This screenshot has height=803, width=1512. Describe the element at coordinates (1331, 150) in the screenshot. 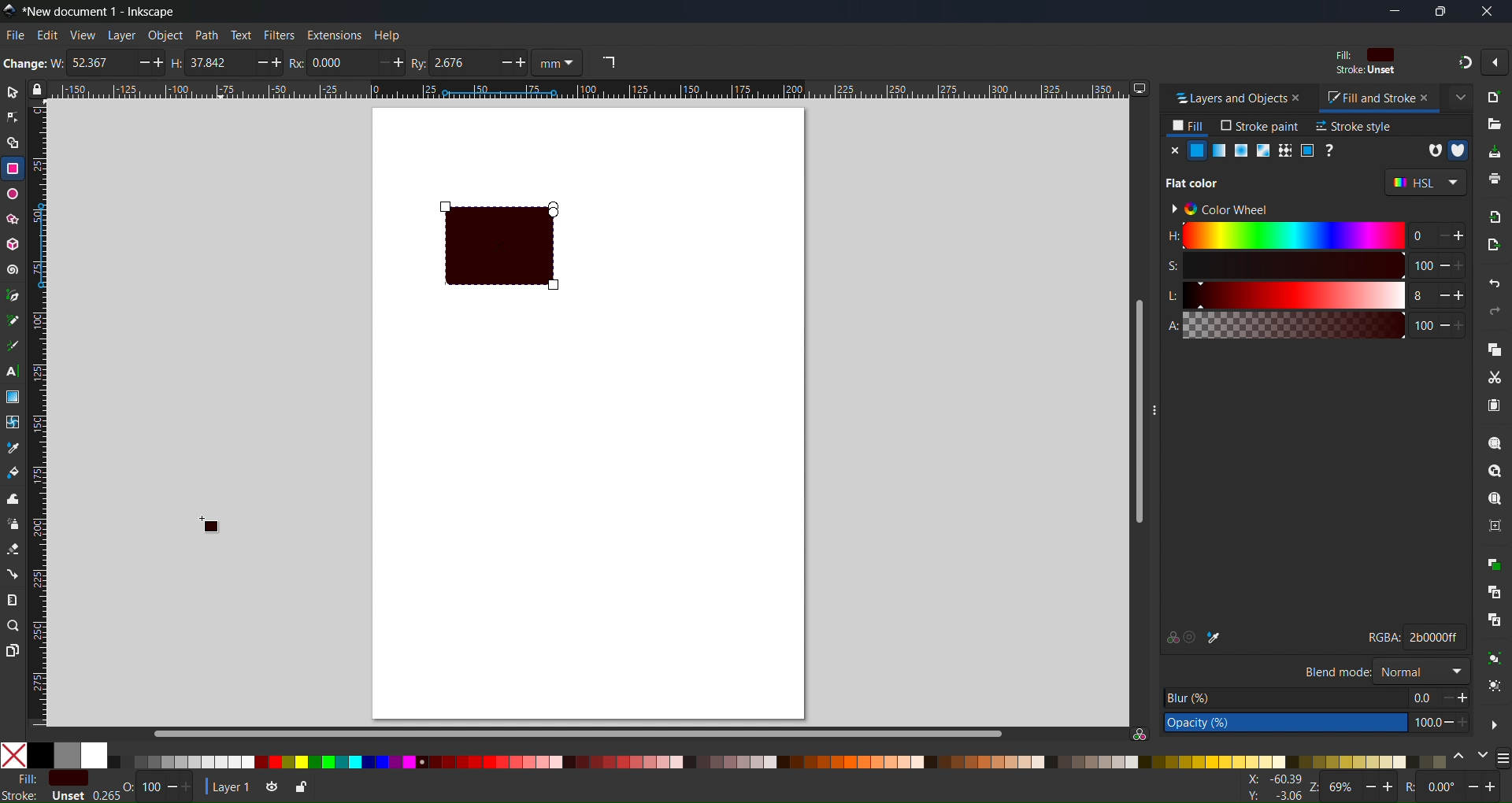

I see `Unset paint` at that location.